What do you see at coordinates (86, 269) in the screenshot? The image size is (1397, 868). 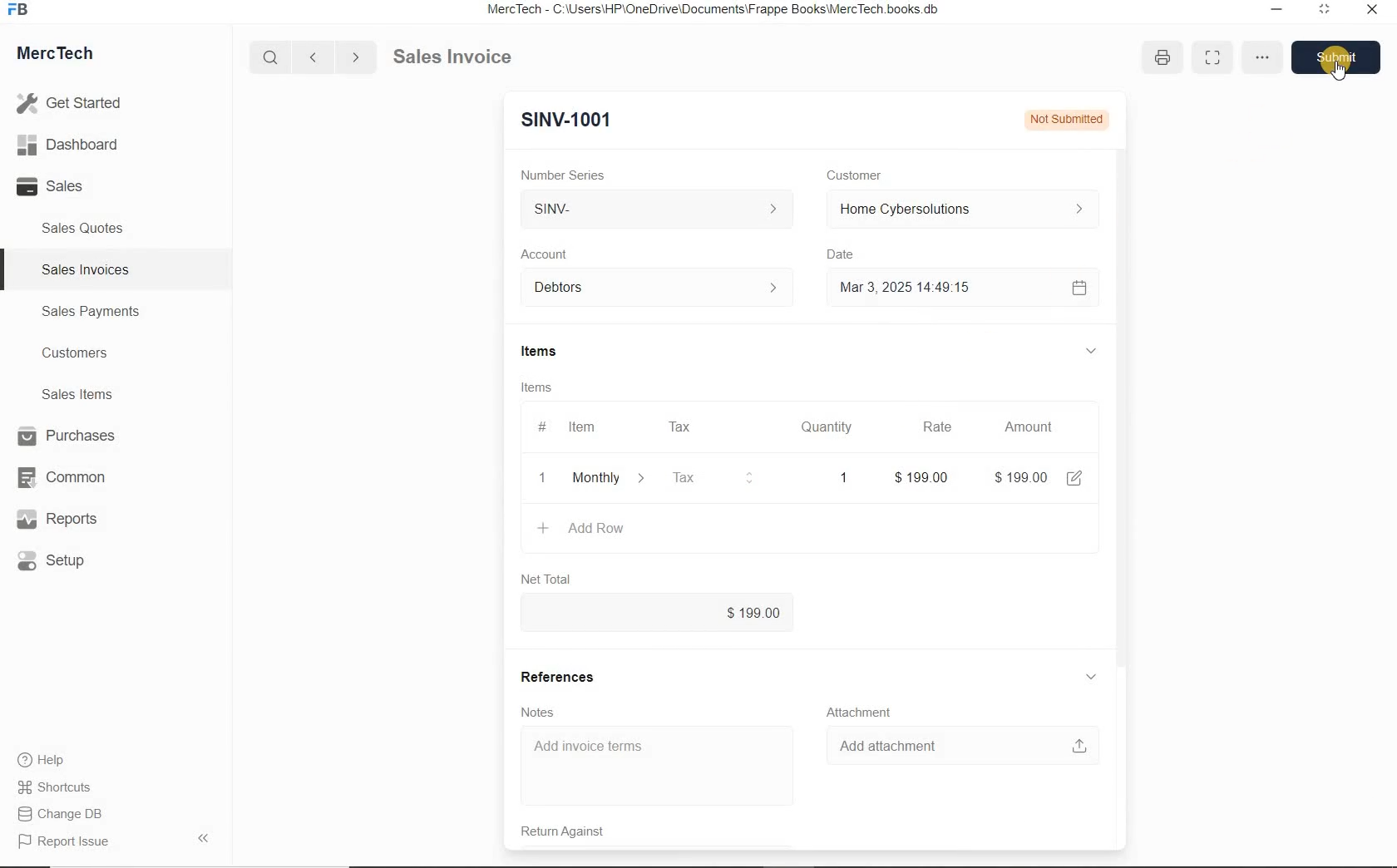 I see `Sales Invoices` at bounding box center [86, 269].